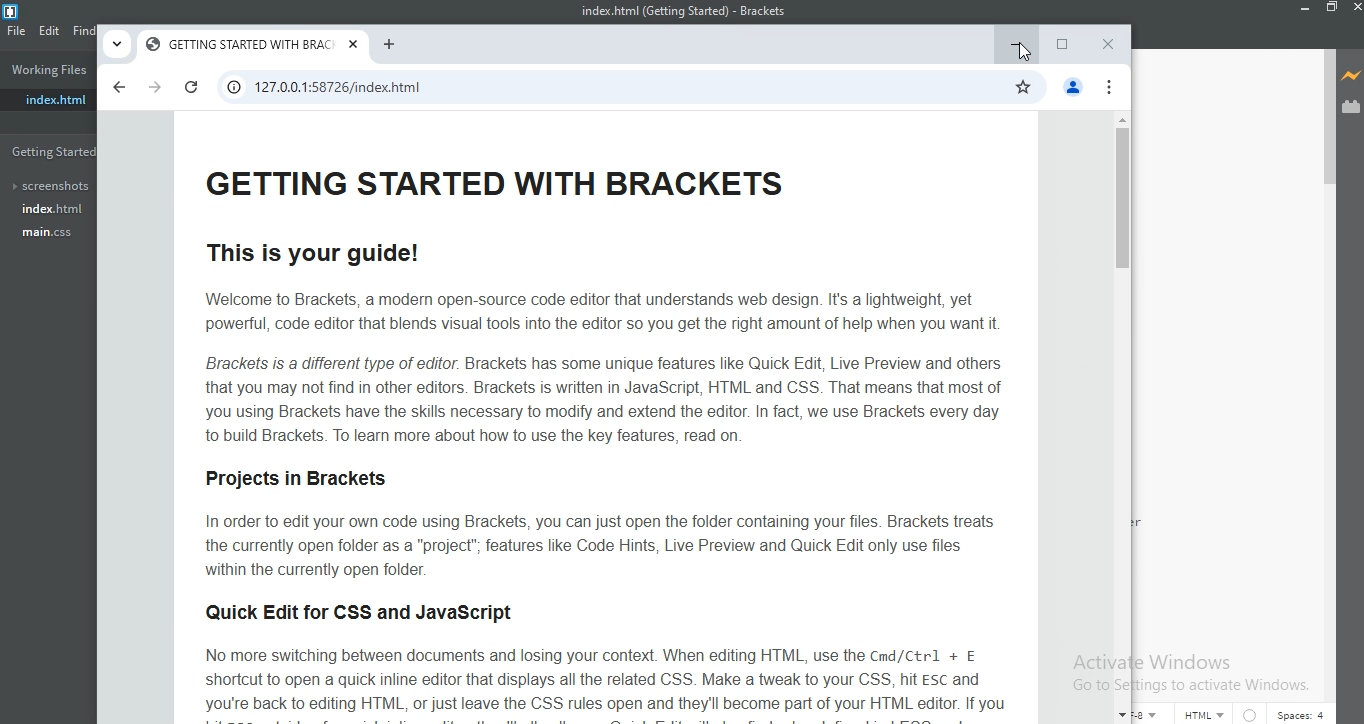 Image resolution: width=1364 pixels, height=724 pixels. I want to click on scroll bar, so click(1325, 123).